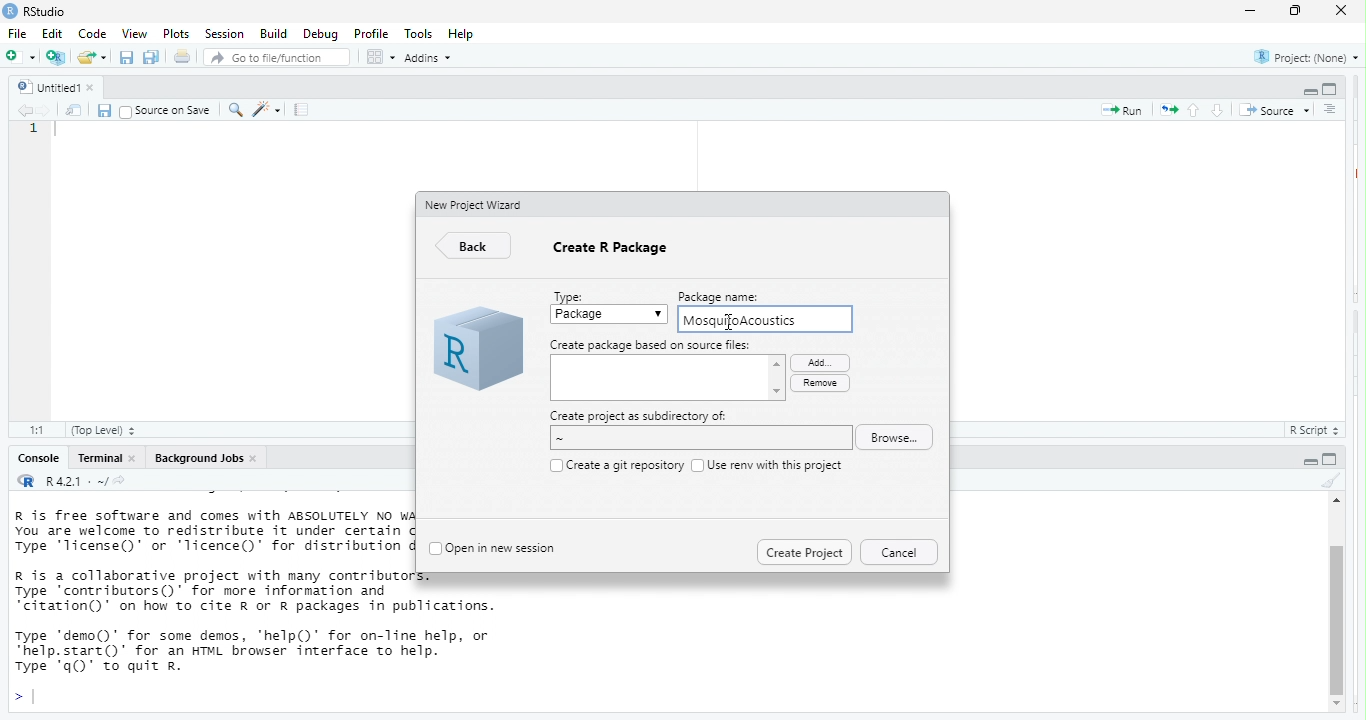  What do you see at coordinates (731, 325) in the screenshot?
I see `cursor movement` at bounding box center [731, 325].